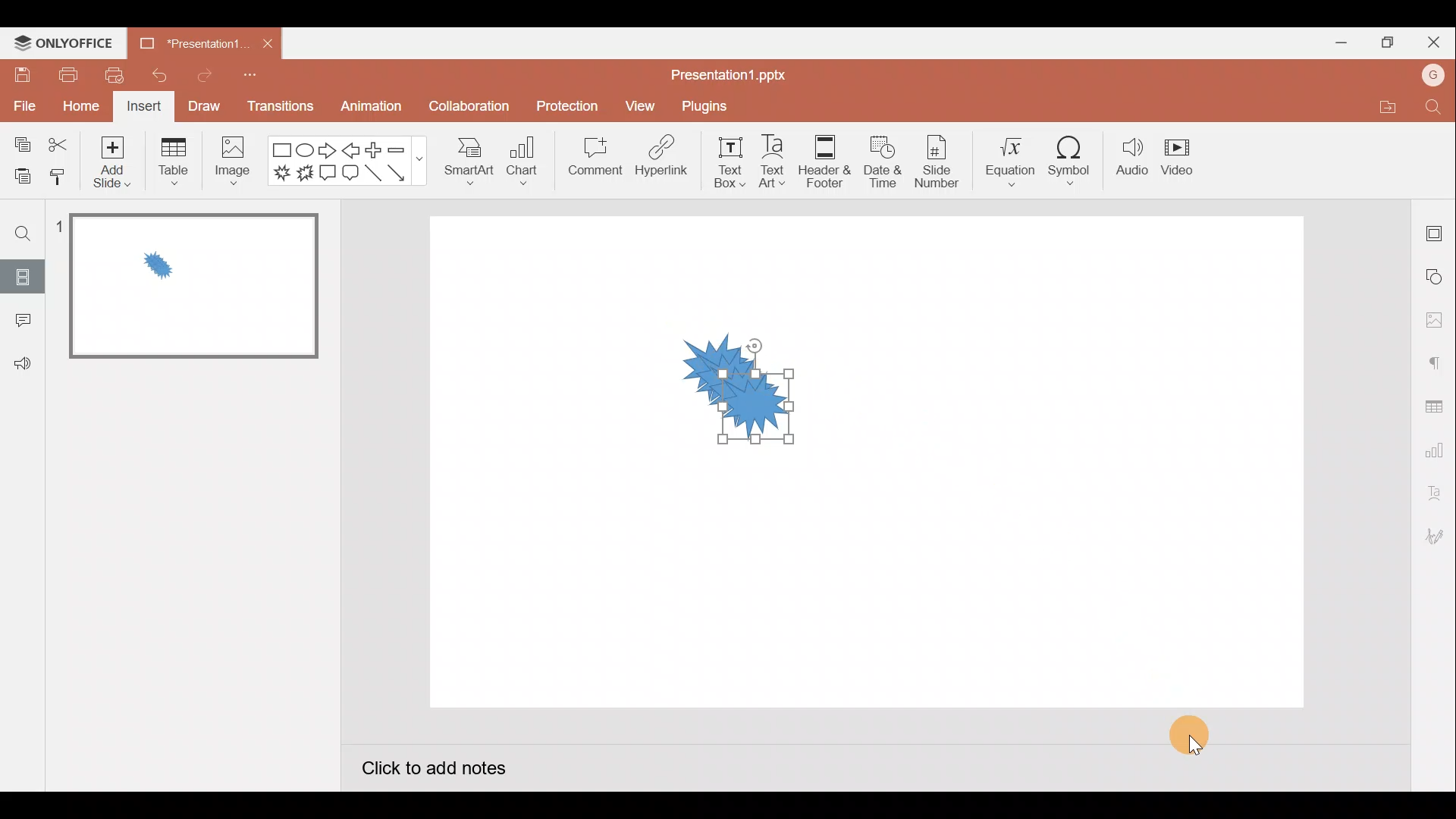 Image resolution: width=1456 pixels, height=819 pixels. I want to click on Copy style, so click(64, 180).